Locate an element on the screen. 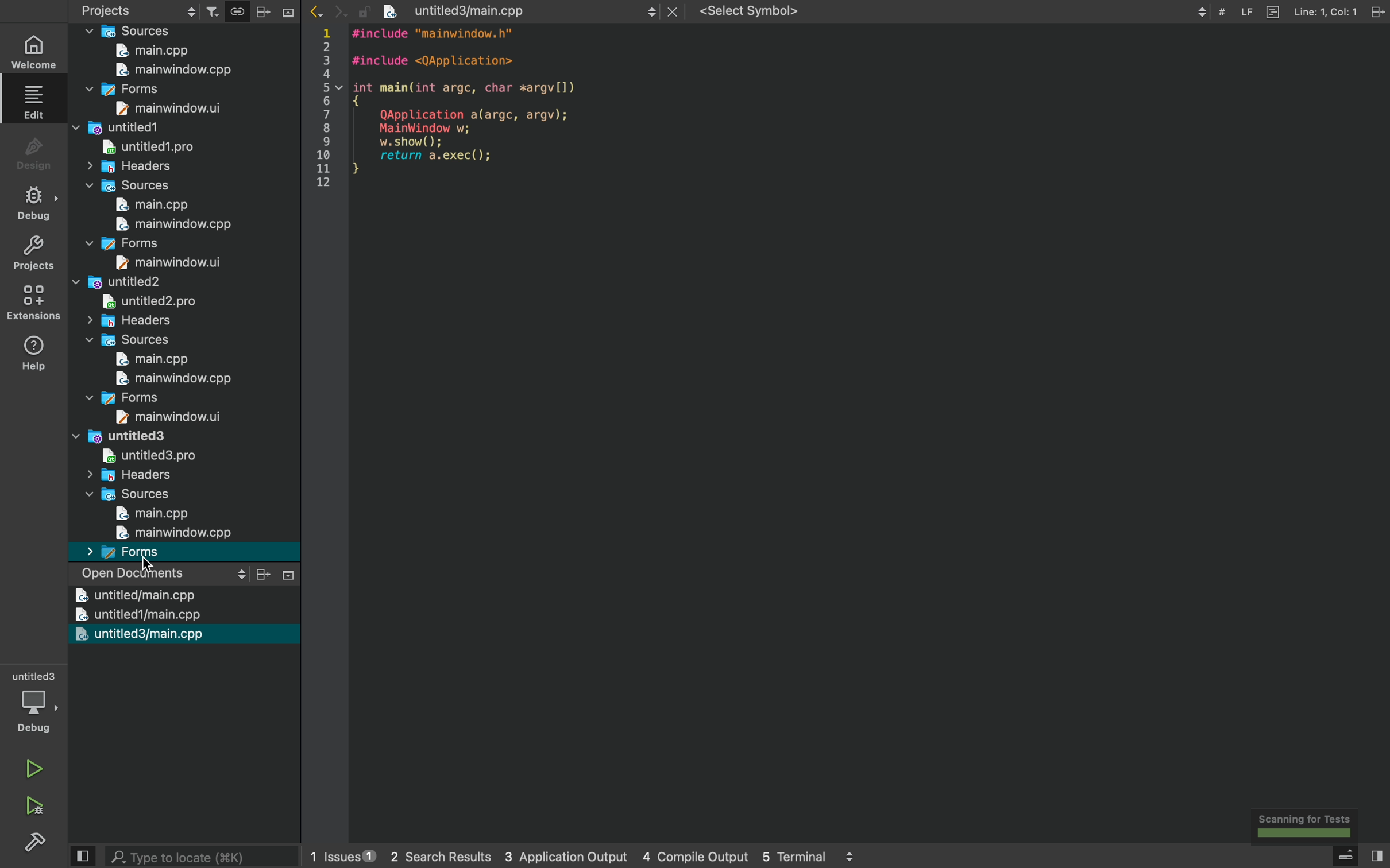 Image resolution: width=1390 pixels, height=868 pixels.  is located at coordinates (173, 533).